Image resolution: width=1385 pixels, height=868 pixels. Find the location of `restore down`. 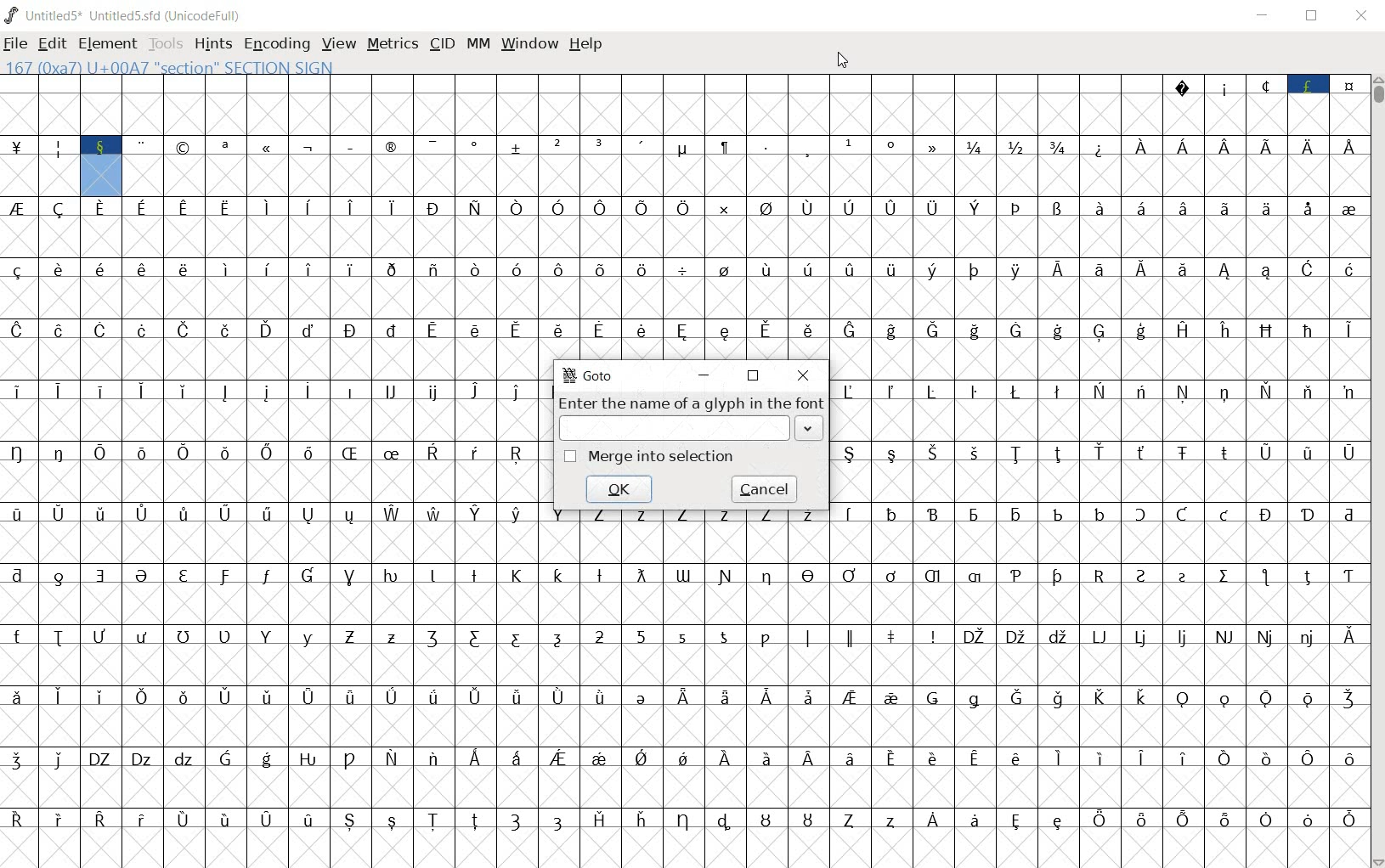

restore down is located at coordinates (754, 375).